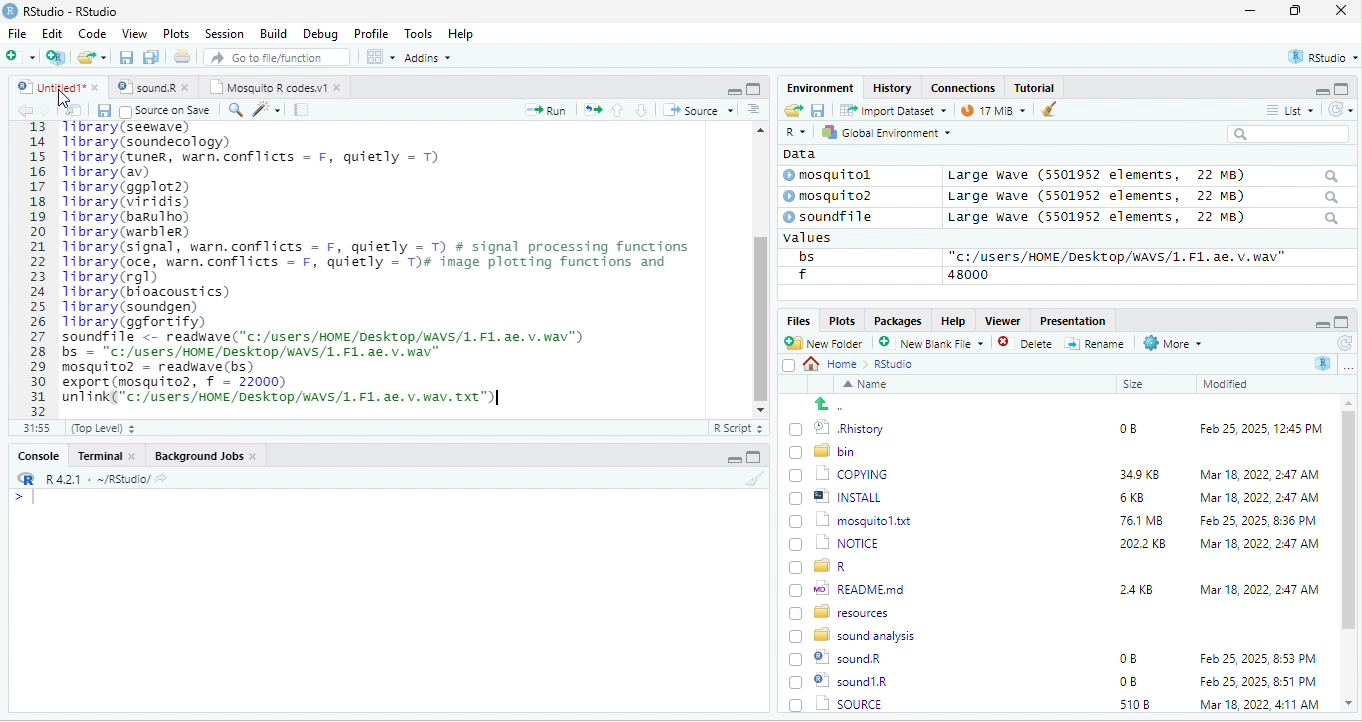 The image size is (1362, 722). Describe the element at coordinates (1259, 588) in the screenshot. I see `Mar 18, 2022, 2:47 AM` at that location.